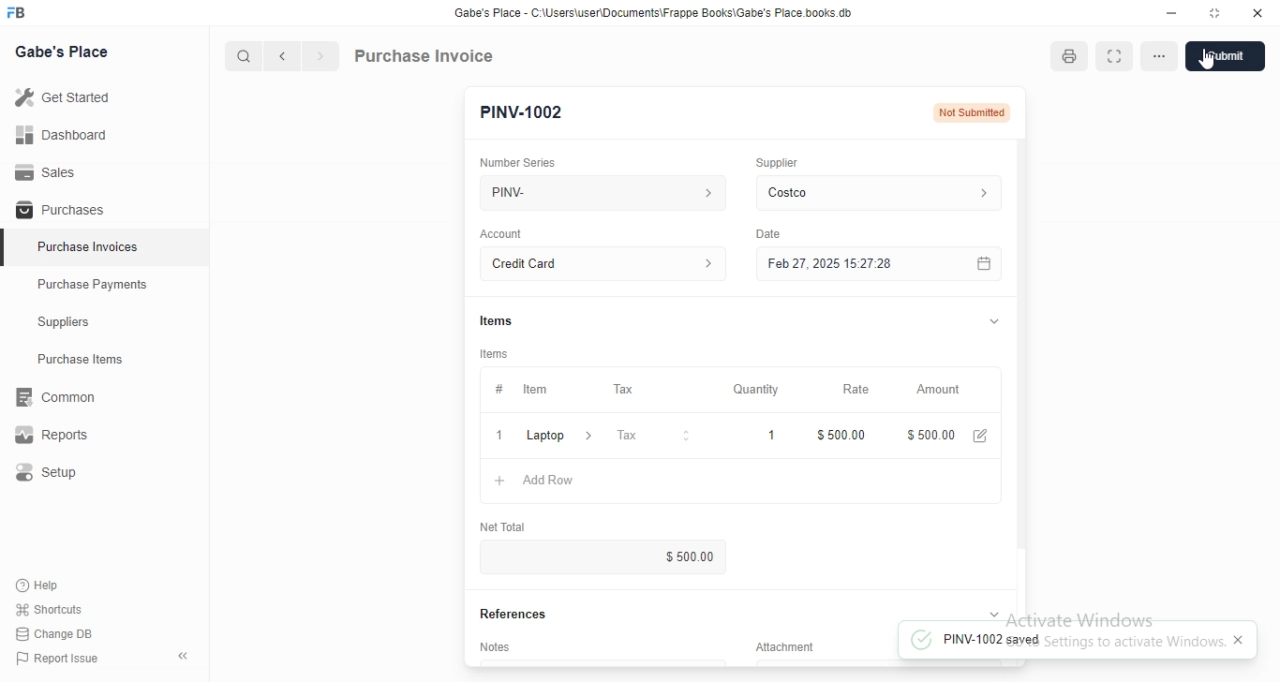 This screenshot has height=682, width=1280. What do you see at coordinates (15, 12) in the screenshot?
I see `Frappe Books logo` at bounding box center [15, 12].